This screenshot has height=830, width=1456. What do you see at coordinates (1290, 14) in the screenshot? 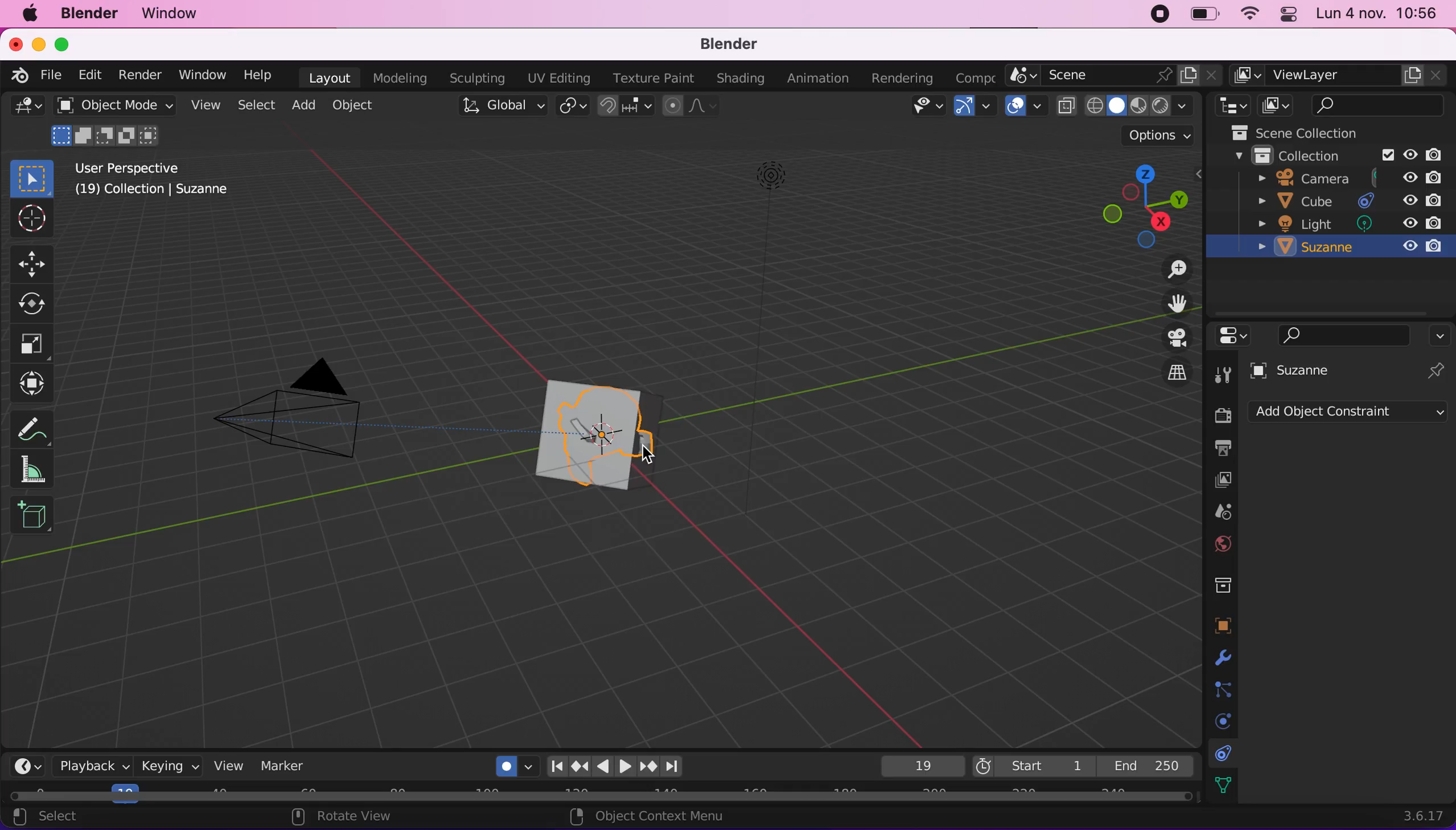
I see `panel control` at bounding box center [1290, 14].